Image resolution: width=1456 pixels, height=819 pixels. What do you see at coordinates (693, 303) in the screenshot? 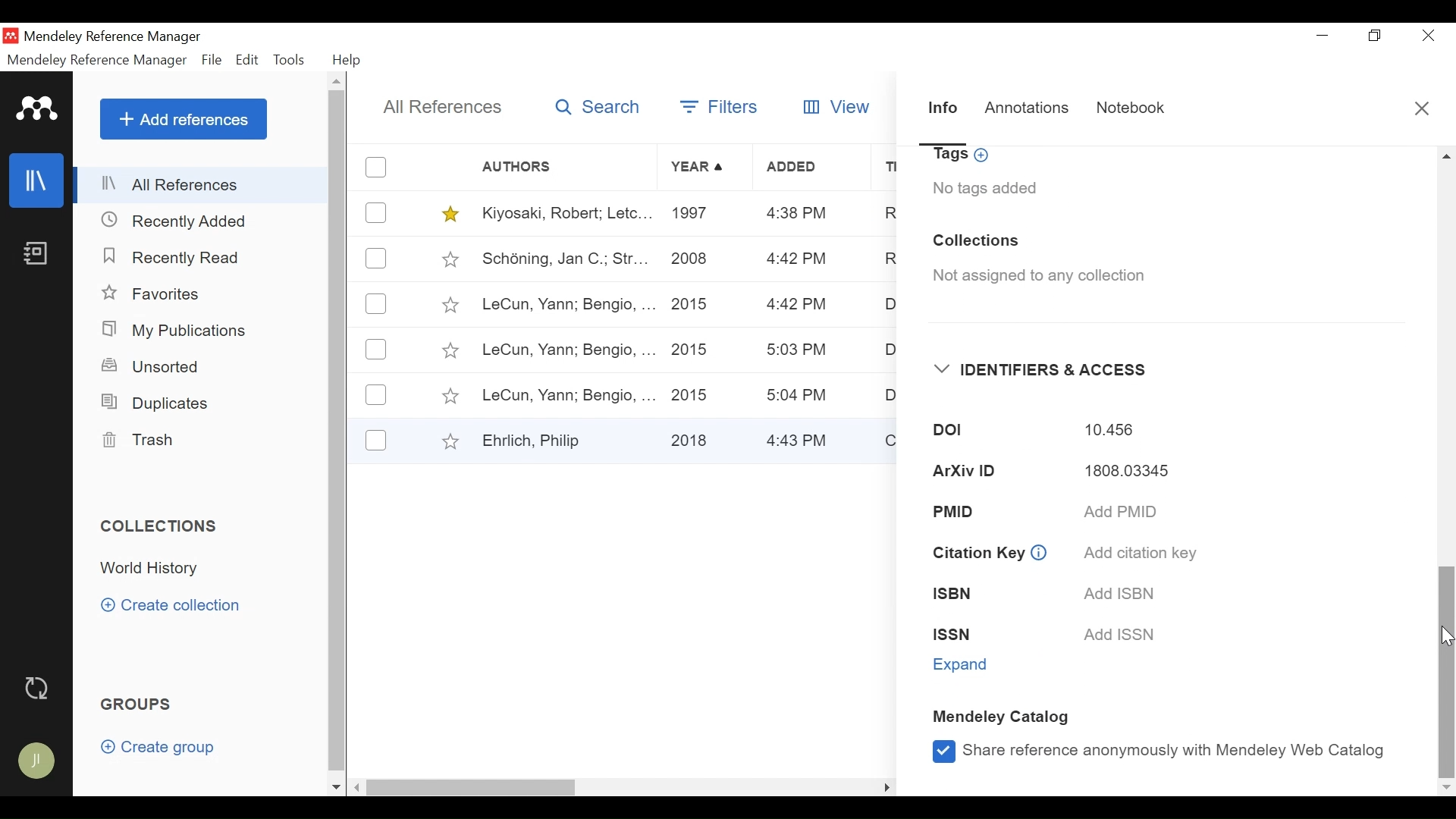
I see `2015` at bounding box center [693, 303].